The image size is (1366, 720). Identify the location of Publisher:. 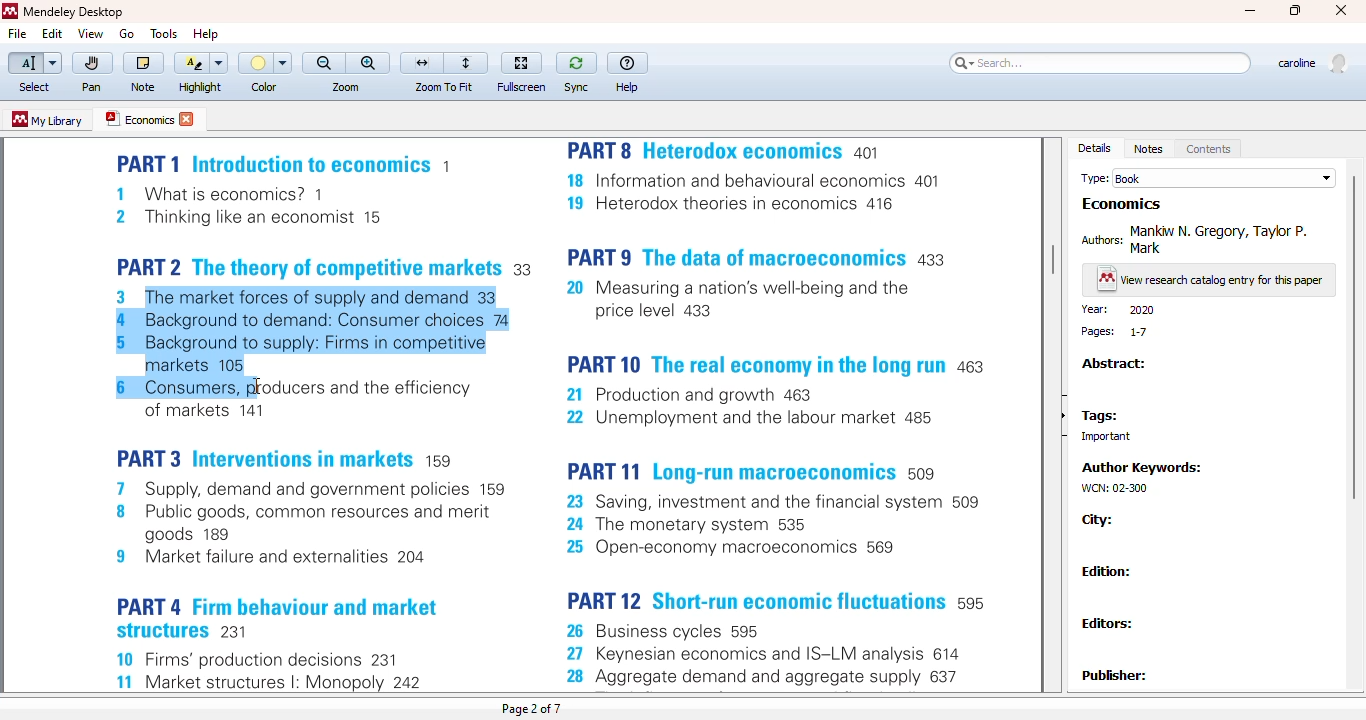
(1113, 675).